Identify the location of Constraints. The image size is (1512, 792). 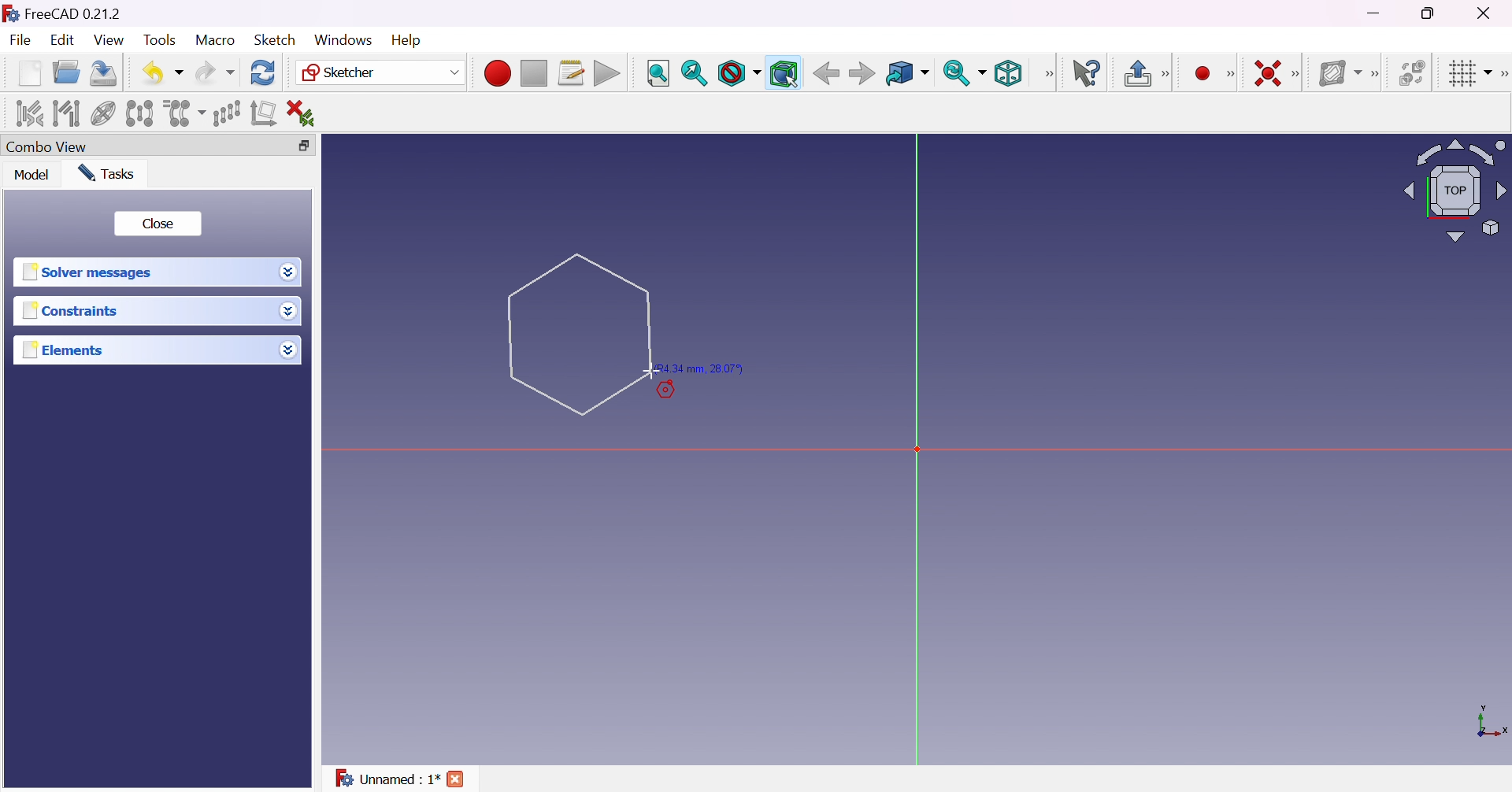
(75, 310).